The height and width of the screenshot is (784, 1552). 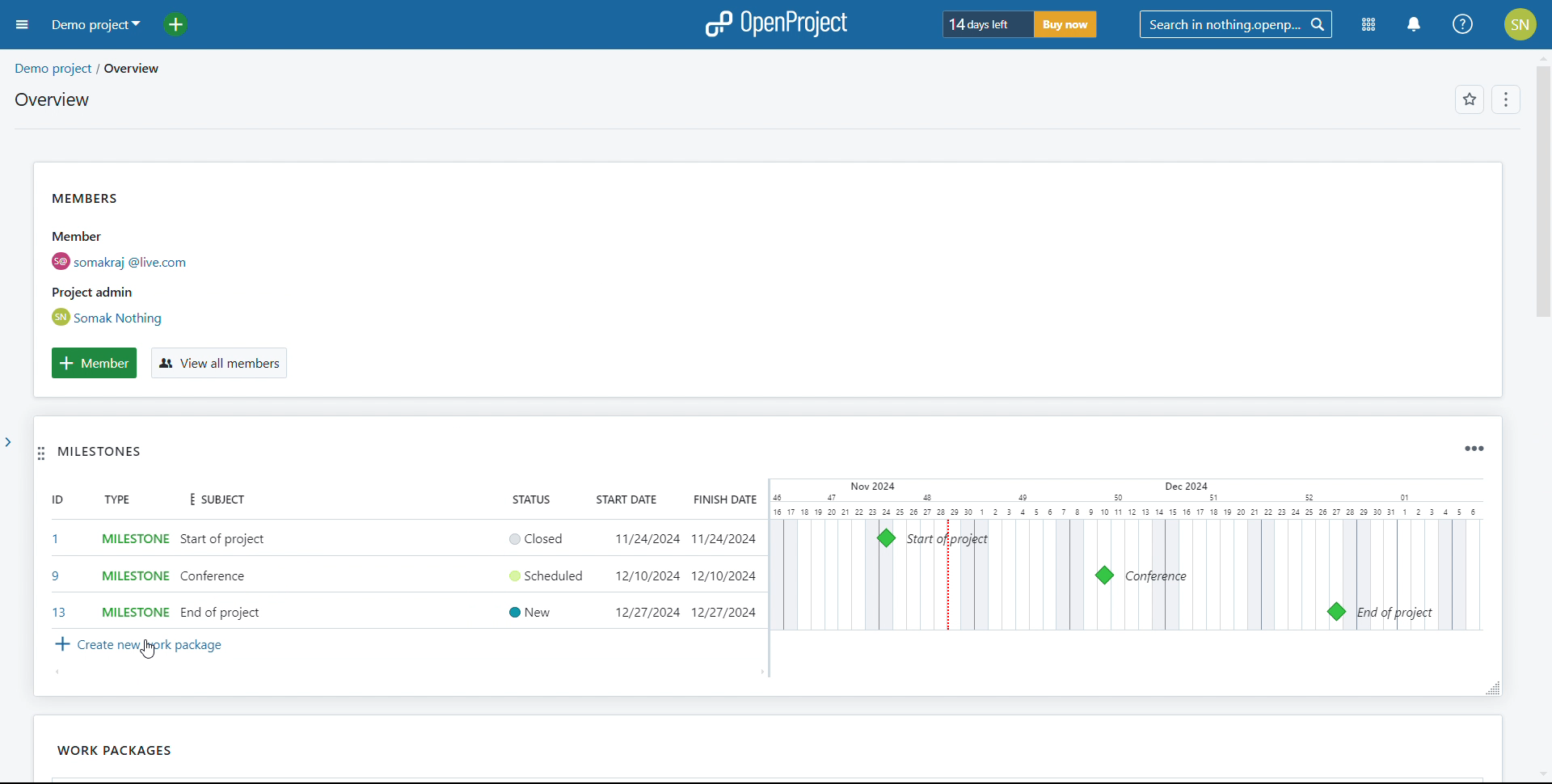 What do you see at coordinates (1369, 26) in the screenshot?
I see `modules` at bounding box center [1369, 26].